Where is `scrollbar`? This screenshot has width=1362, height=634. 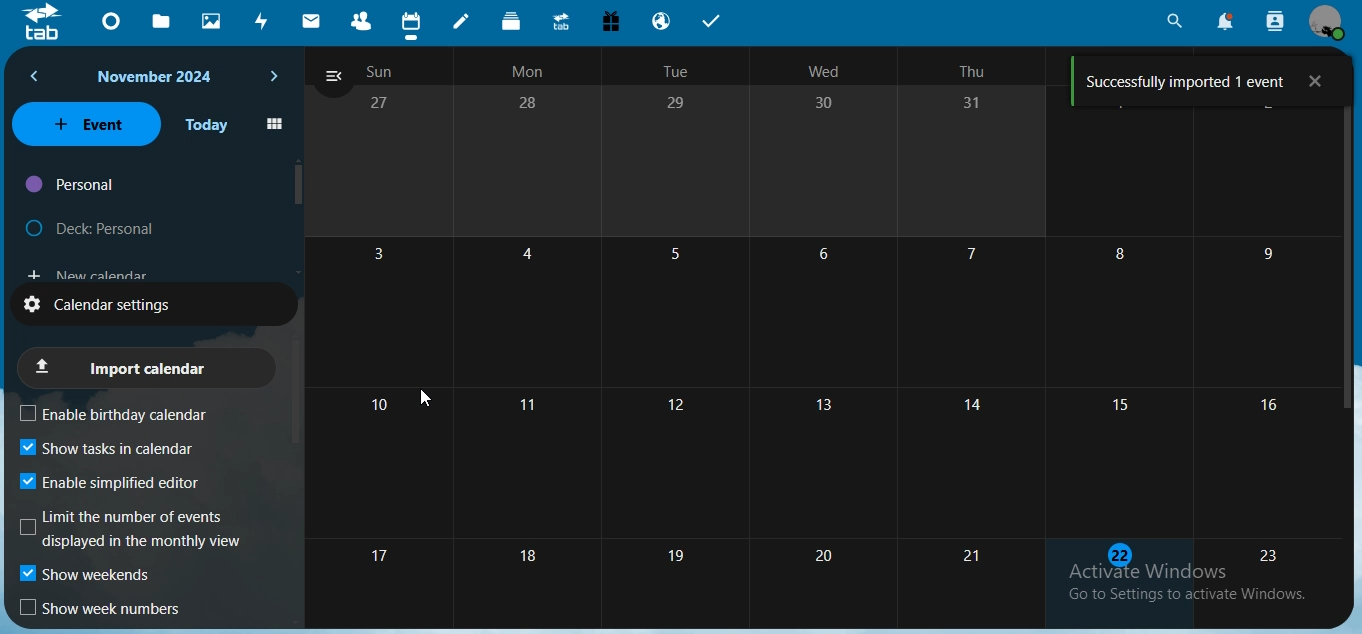 scrollbar is located at coordinates (300, 183).